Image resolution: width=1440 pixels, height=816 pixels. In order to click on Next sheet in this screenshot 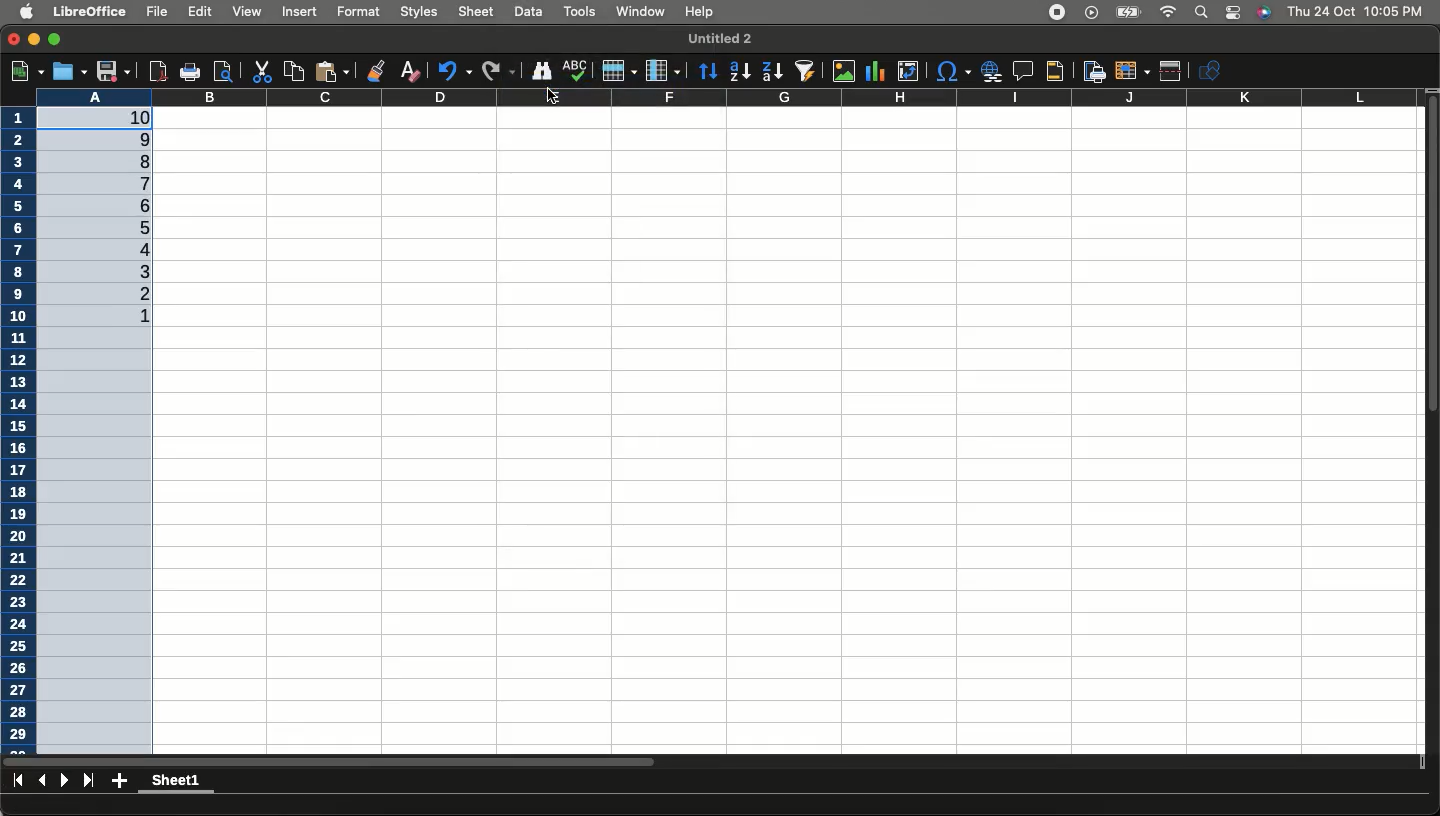, I will do `click(66, 782)`.